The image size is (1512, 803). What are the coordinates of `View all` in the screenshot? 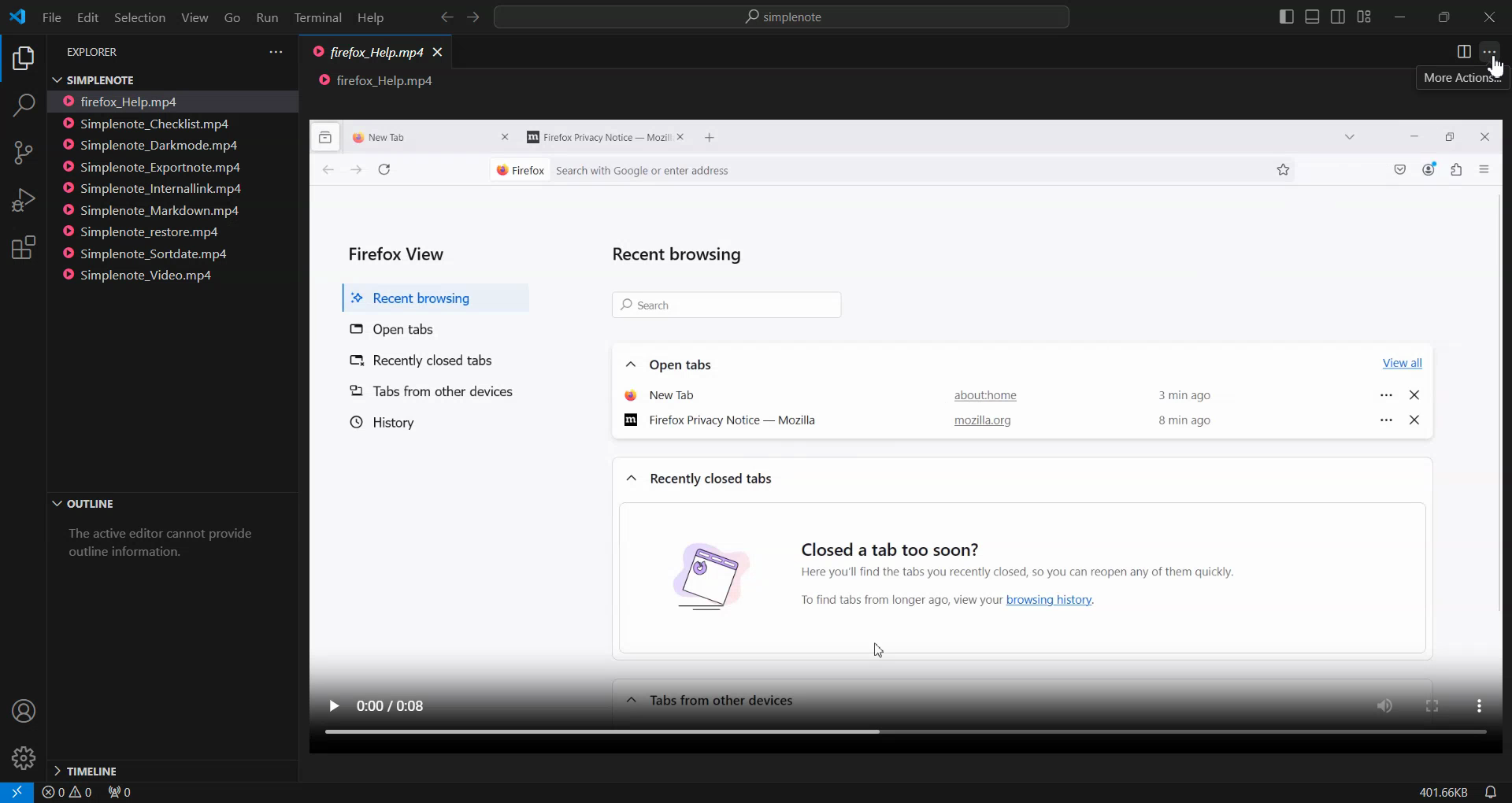 It's located at (1399, 360).